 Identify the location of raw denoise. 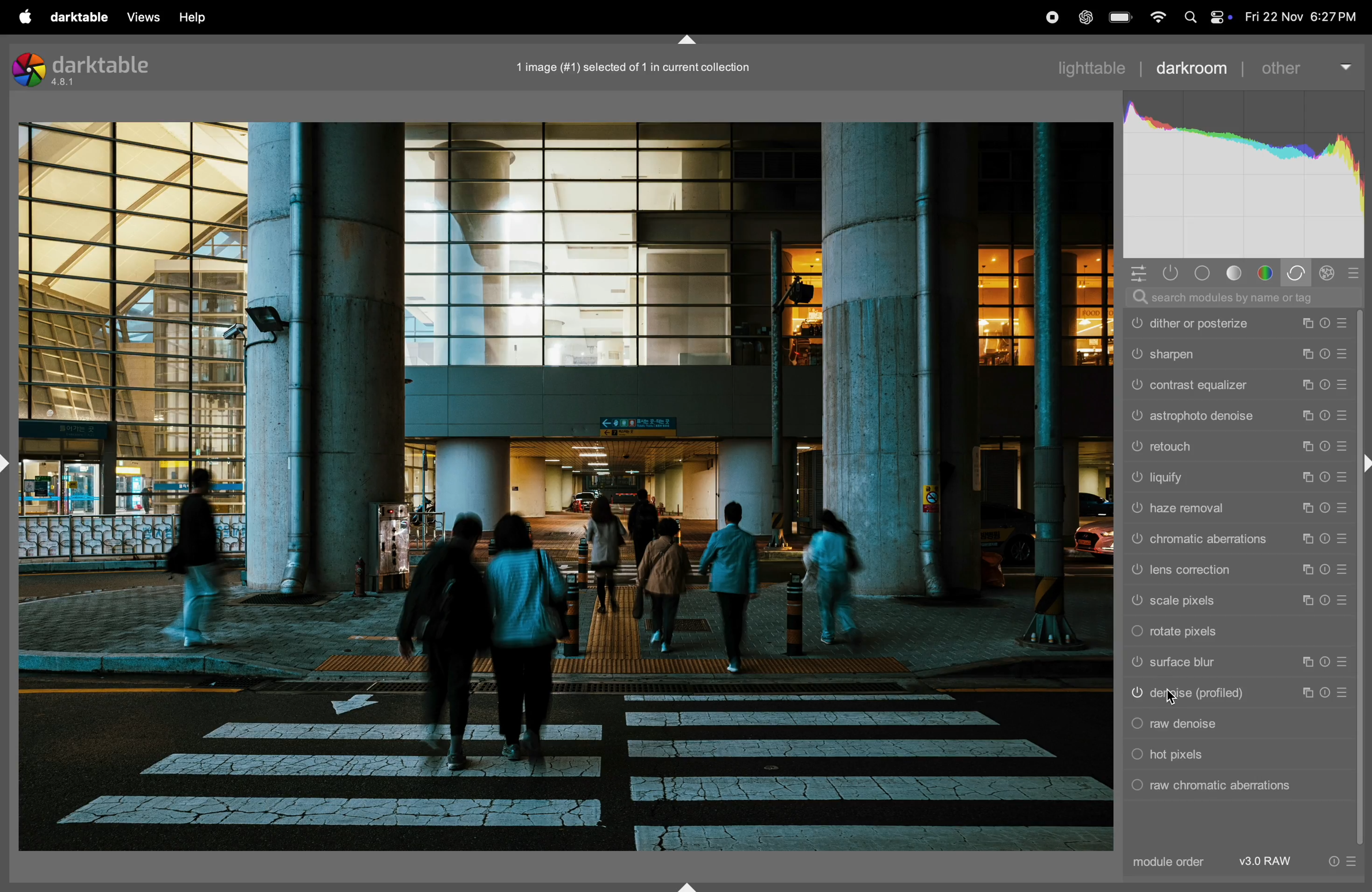
(1235, 722).